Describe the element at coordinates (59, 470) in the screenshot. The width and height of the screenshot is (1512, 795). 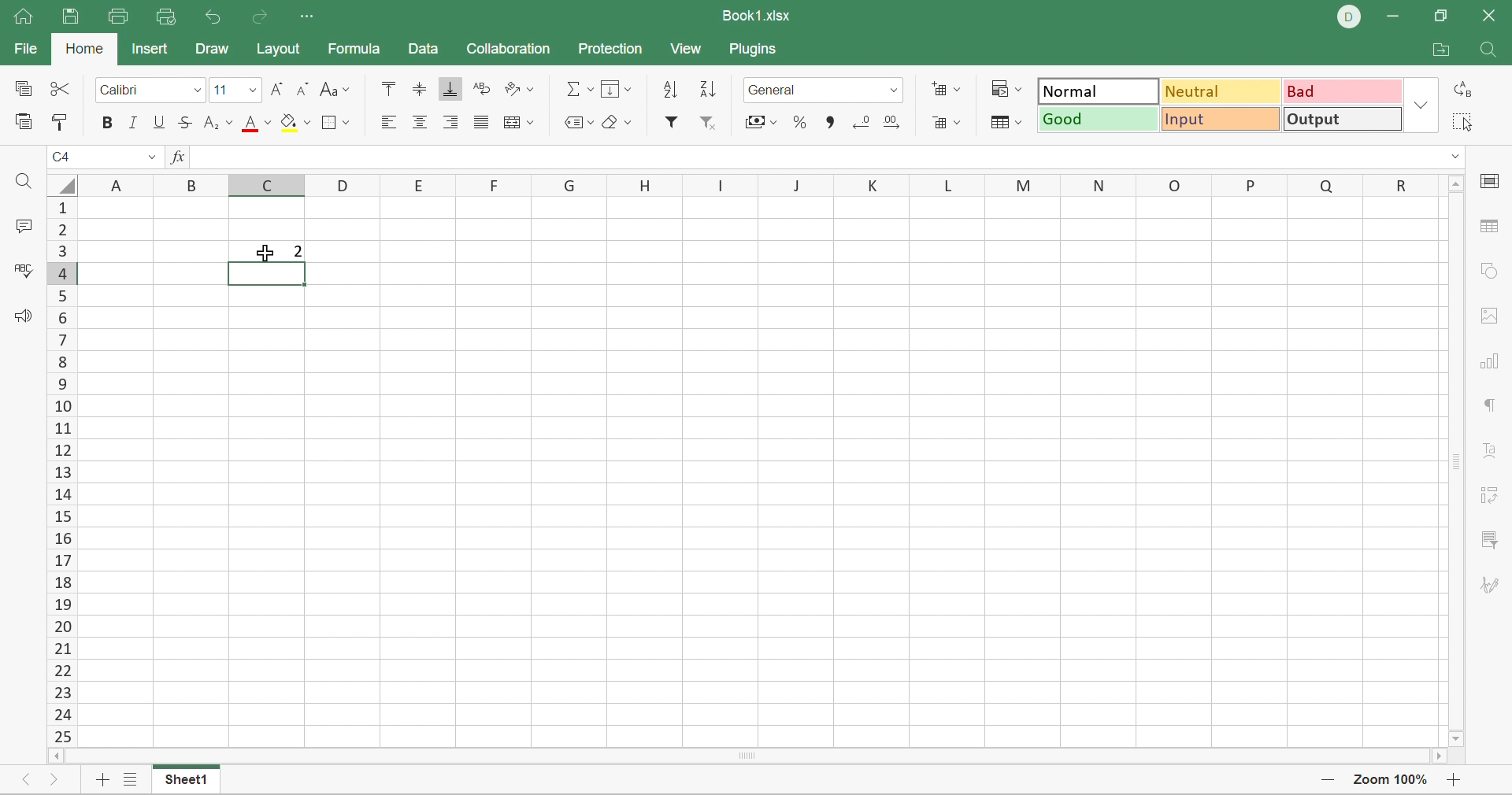
I see `Scroll Bar` at that location.